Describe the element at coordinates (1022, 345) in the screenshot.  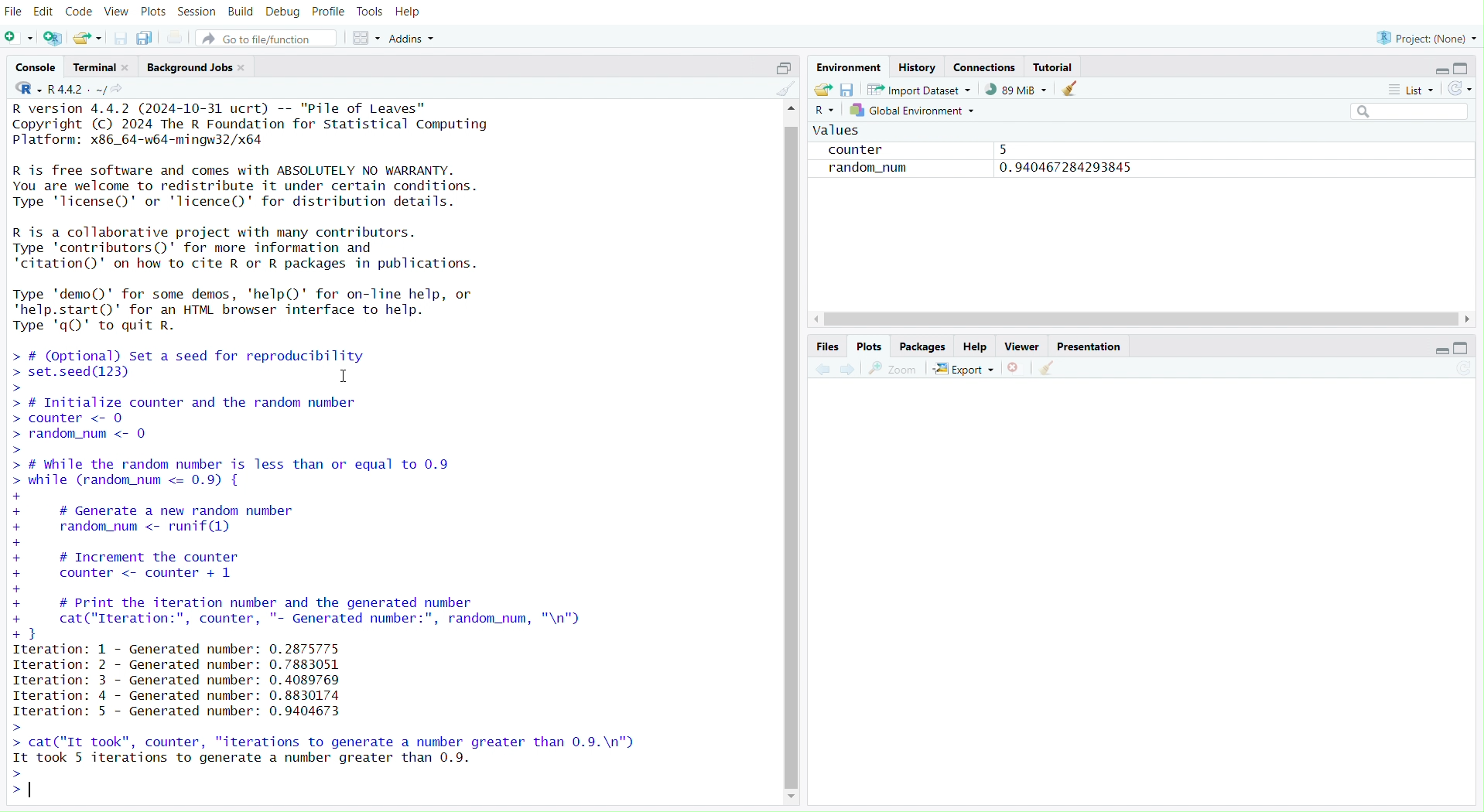
I see `Viewer` at that location.